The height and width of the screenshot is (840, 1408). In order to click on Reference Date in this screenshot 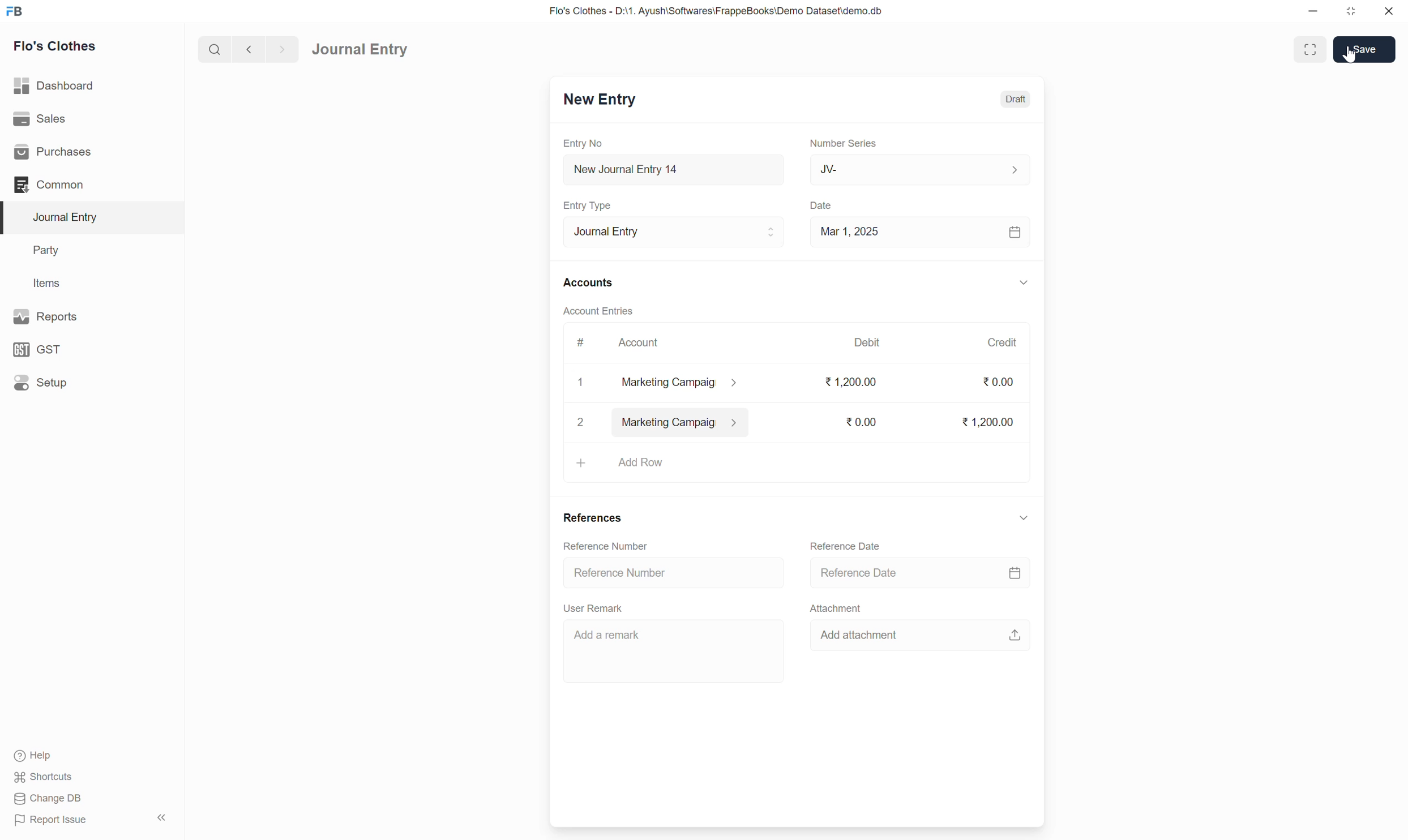, I will do `click(861, 573)`.